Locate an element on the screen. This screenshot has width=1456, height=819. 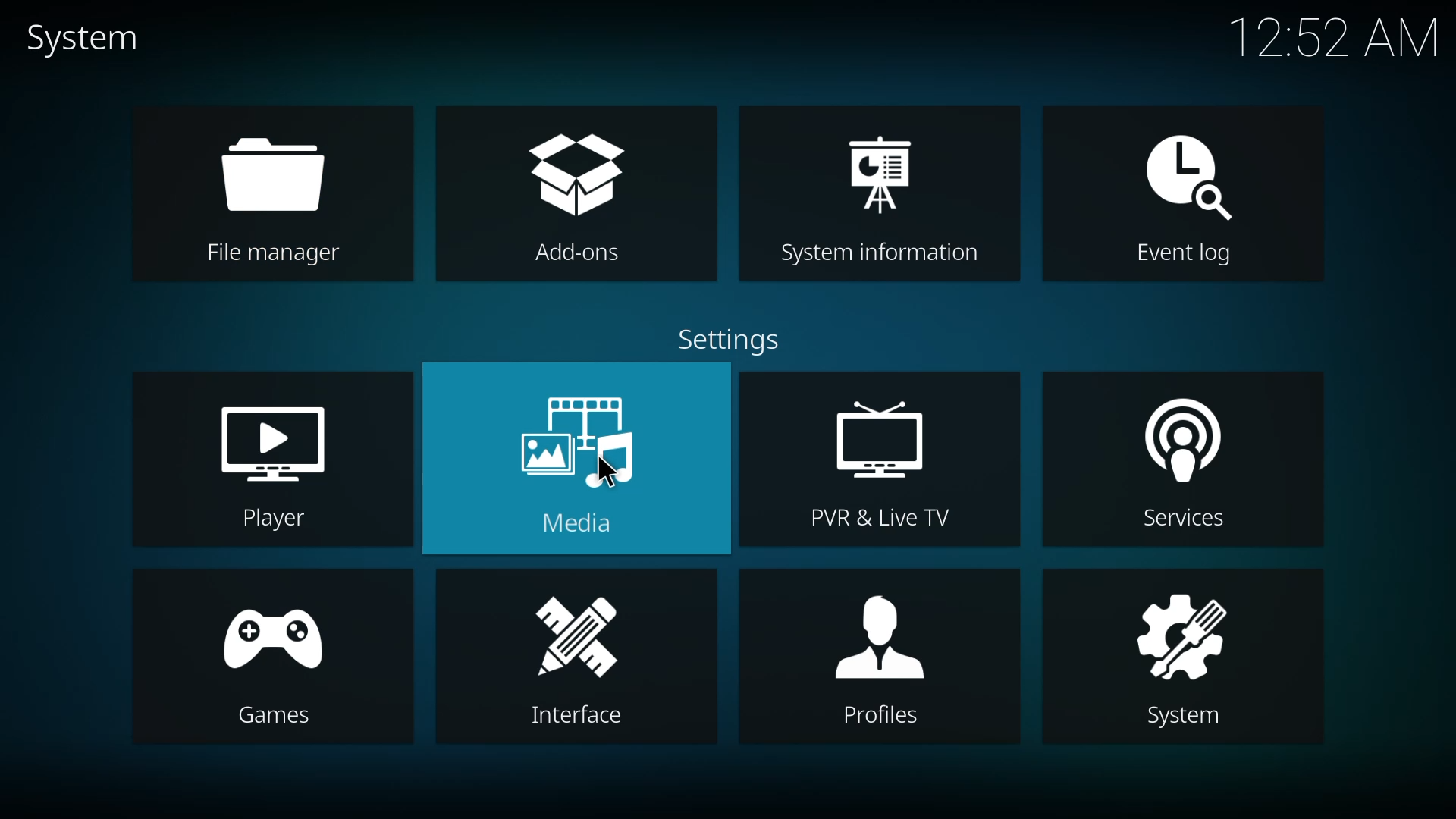
System information is located at coordinates (893, 253).